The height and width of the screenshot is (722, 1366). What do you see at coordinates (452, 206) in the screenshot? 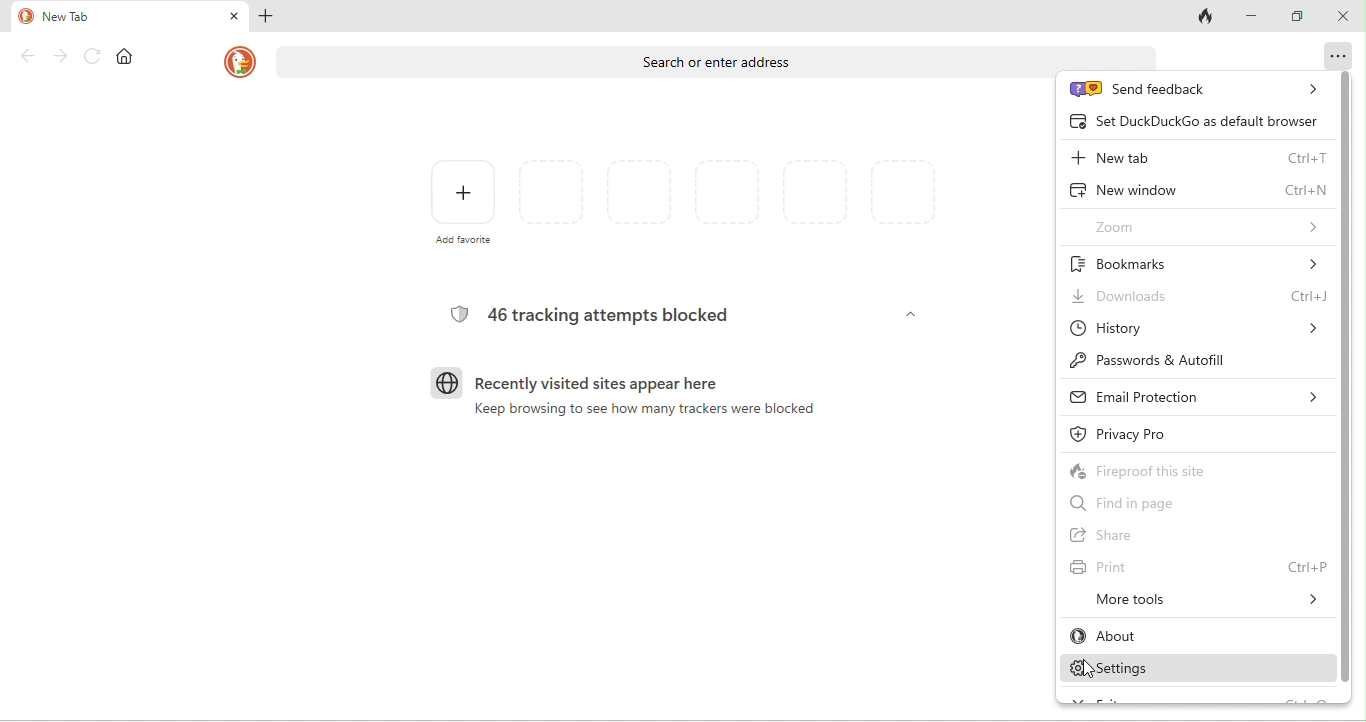
I see `add favourite` at bounding box center [452, 206].